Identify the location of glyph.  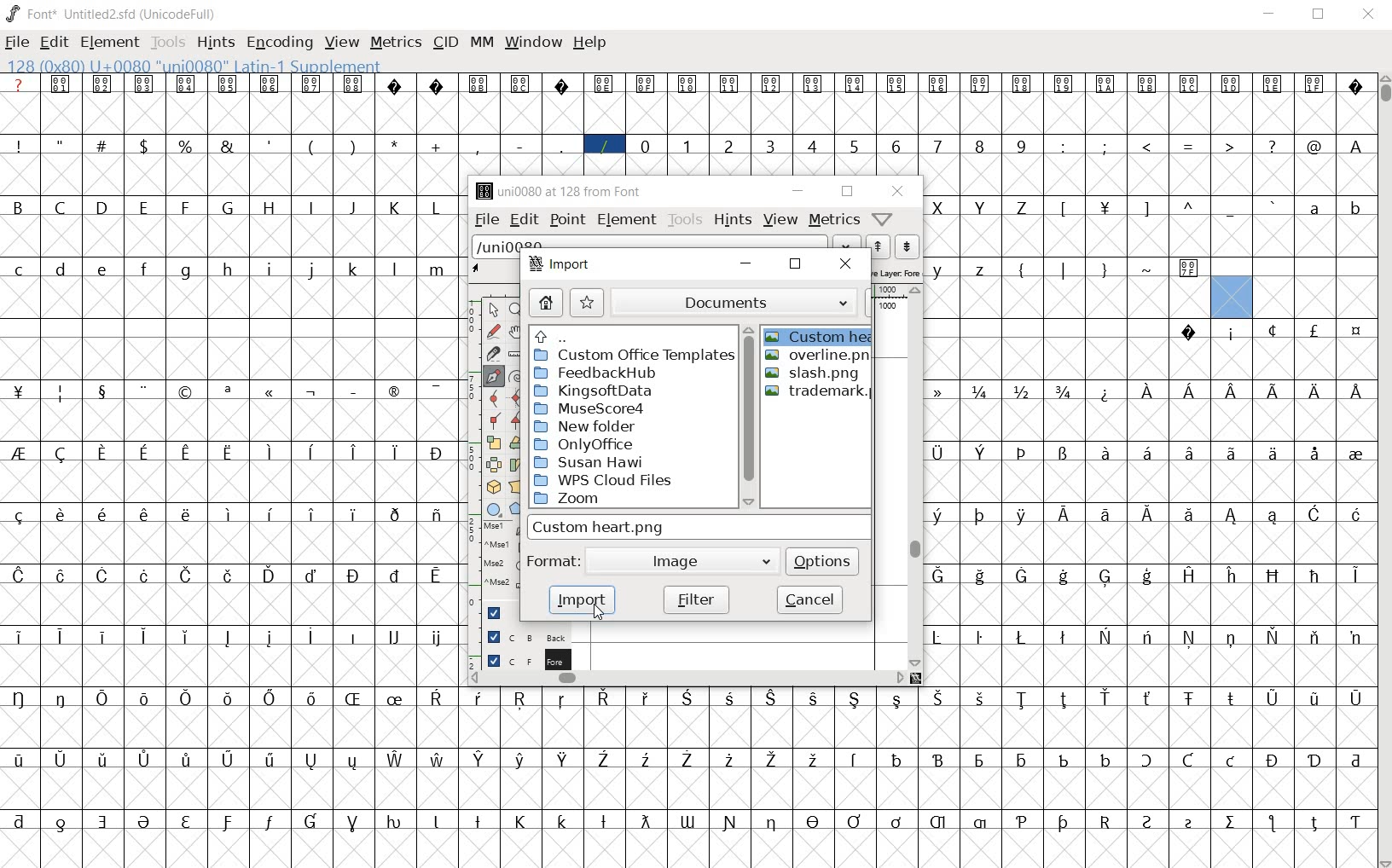
(437, 147).